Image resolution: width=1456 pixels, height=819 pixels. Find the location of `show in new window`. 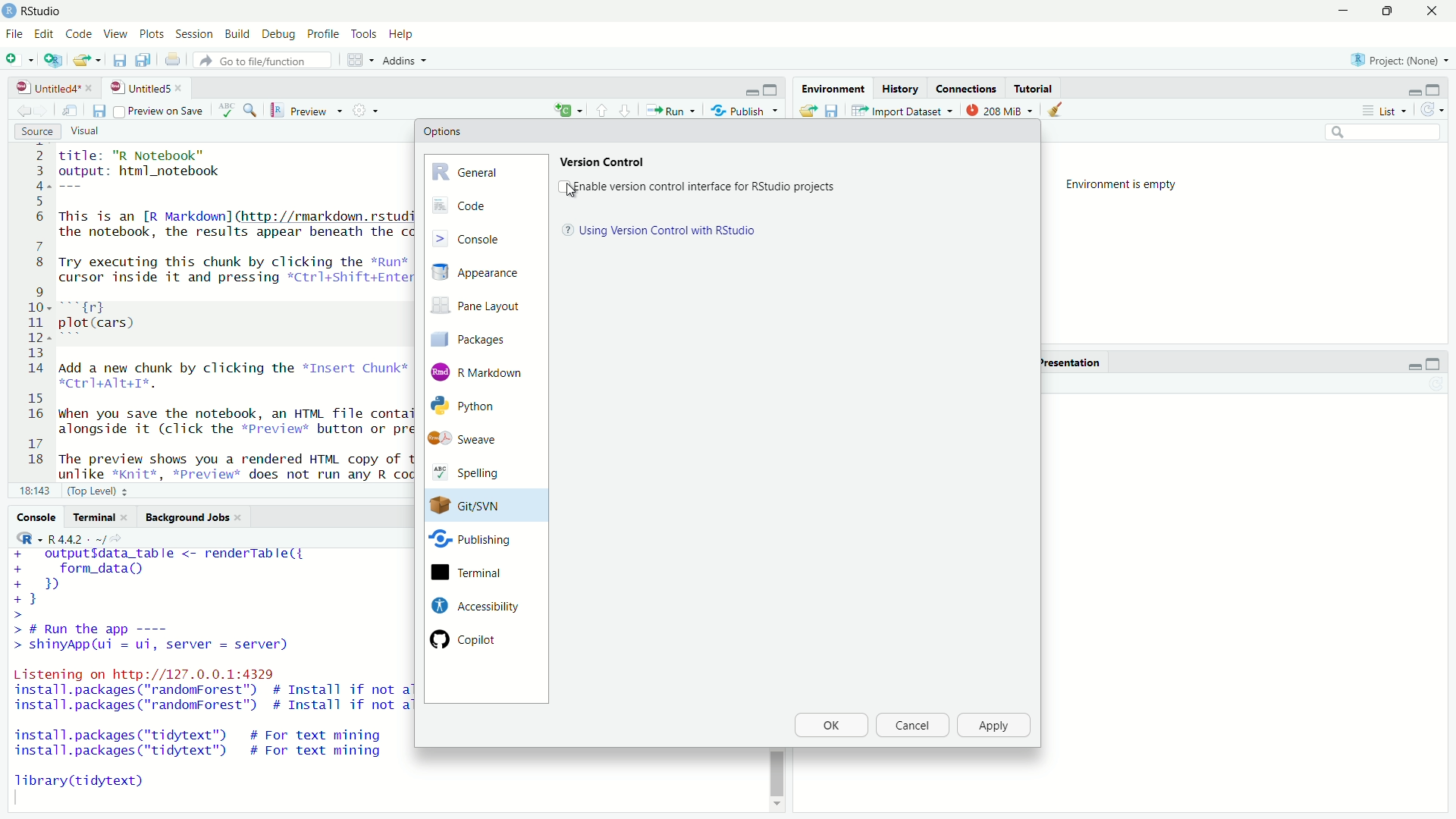

show in new window is located at coordinates (70, 111).